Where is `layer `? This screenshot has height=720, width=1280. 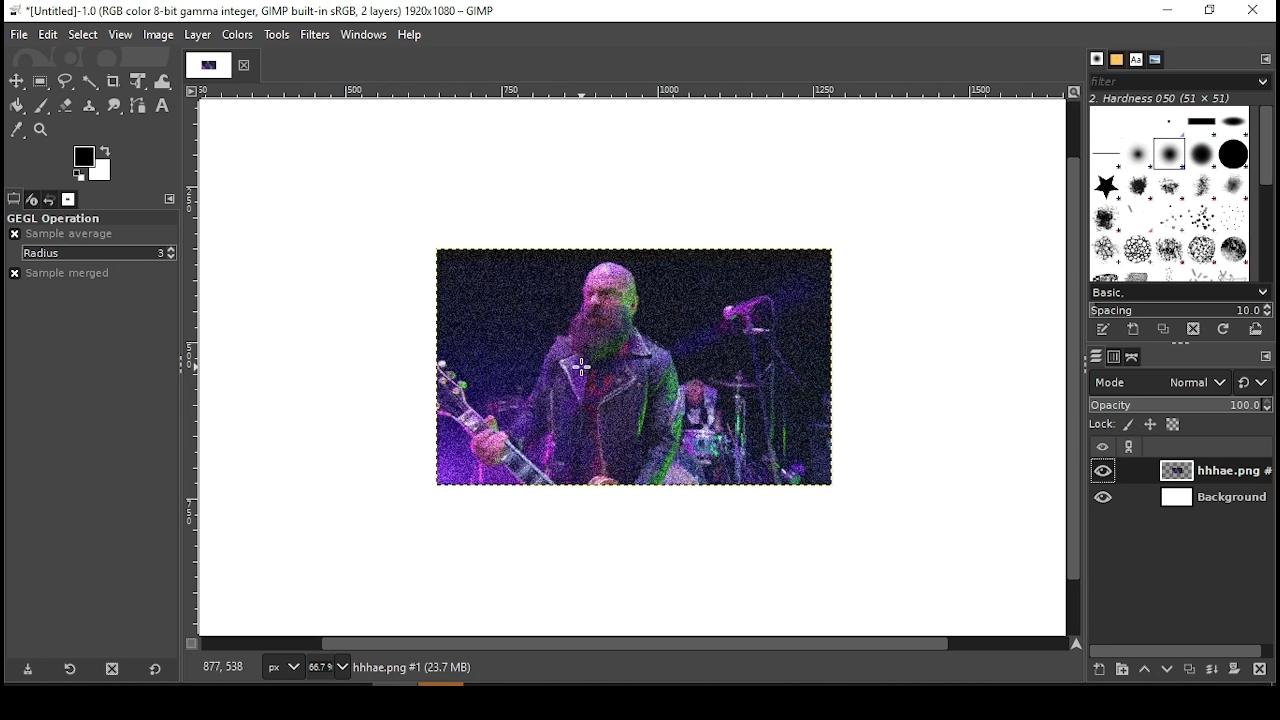
layer  is located at coordinates (1212, 497).